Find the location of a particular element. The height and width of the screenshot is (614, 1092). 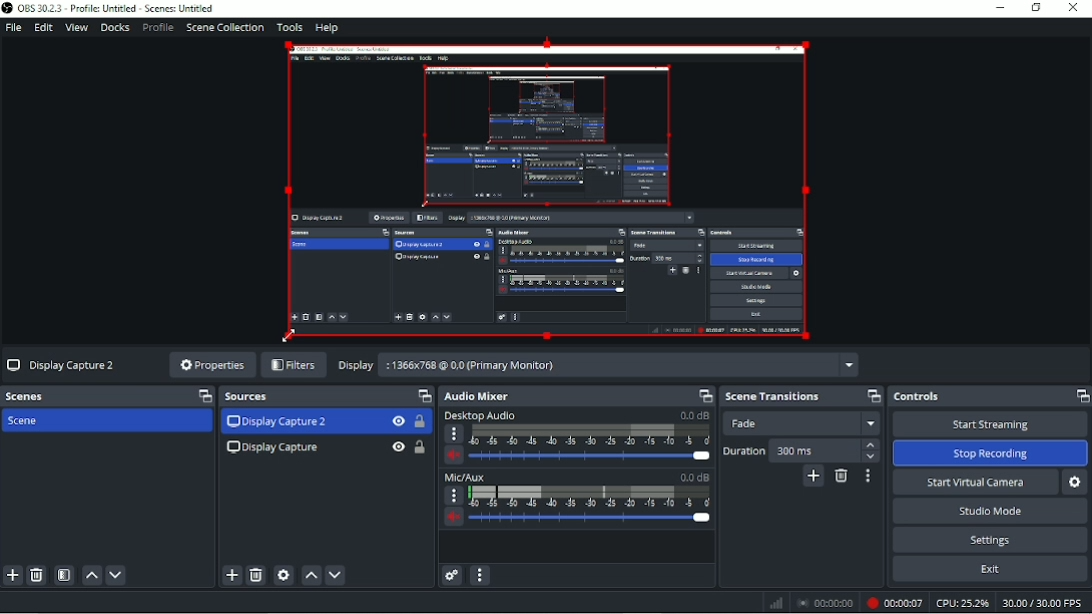

Profile is located at coordinates (158, 29).